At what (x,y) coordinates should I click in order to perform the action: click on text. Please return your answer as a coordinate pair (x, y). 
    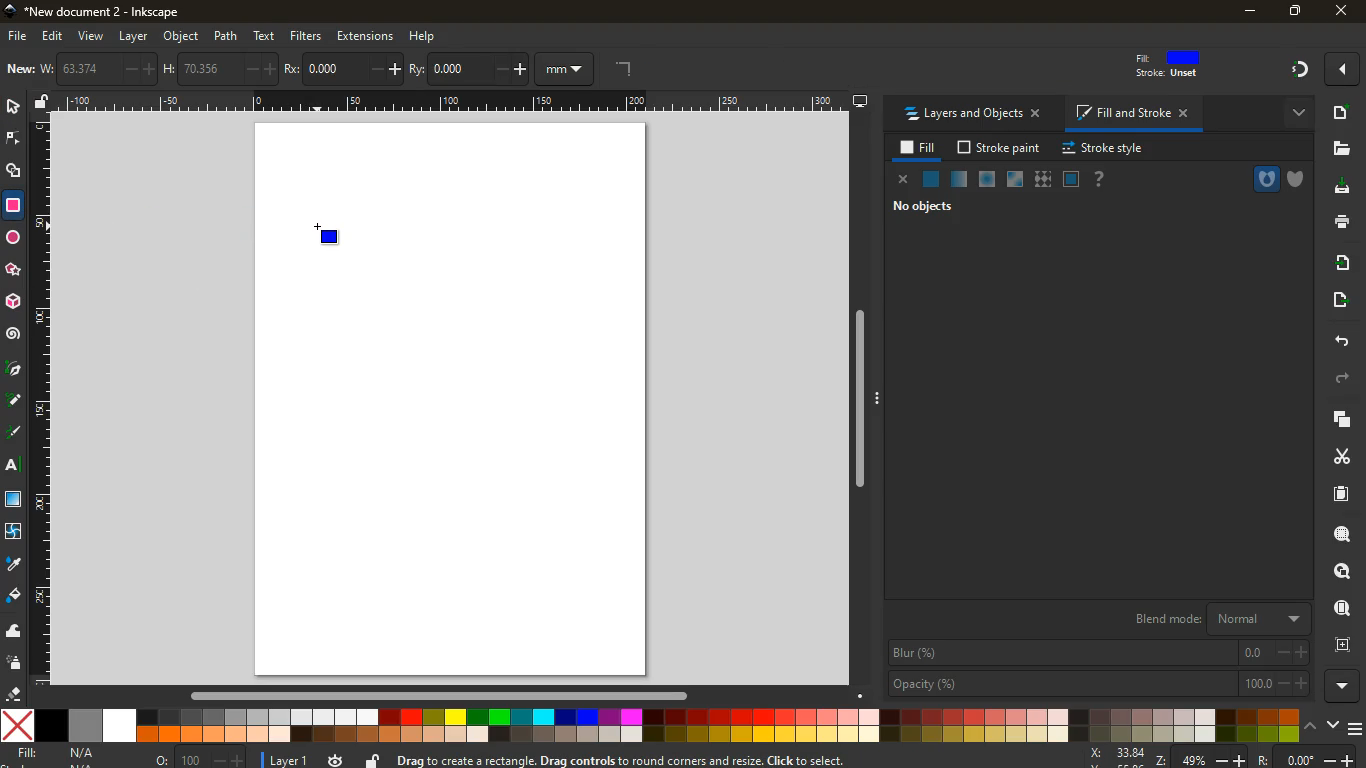
    Looking at the image, I should click on (265, 36).